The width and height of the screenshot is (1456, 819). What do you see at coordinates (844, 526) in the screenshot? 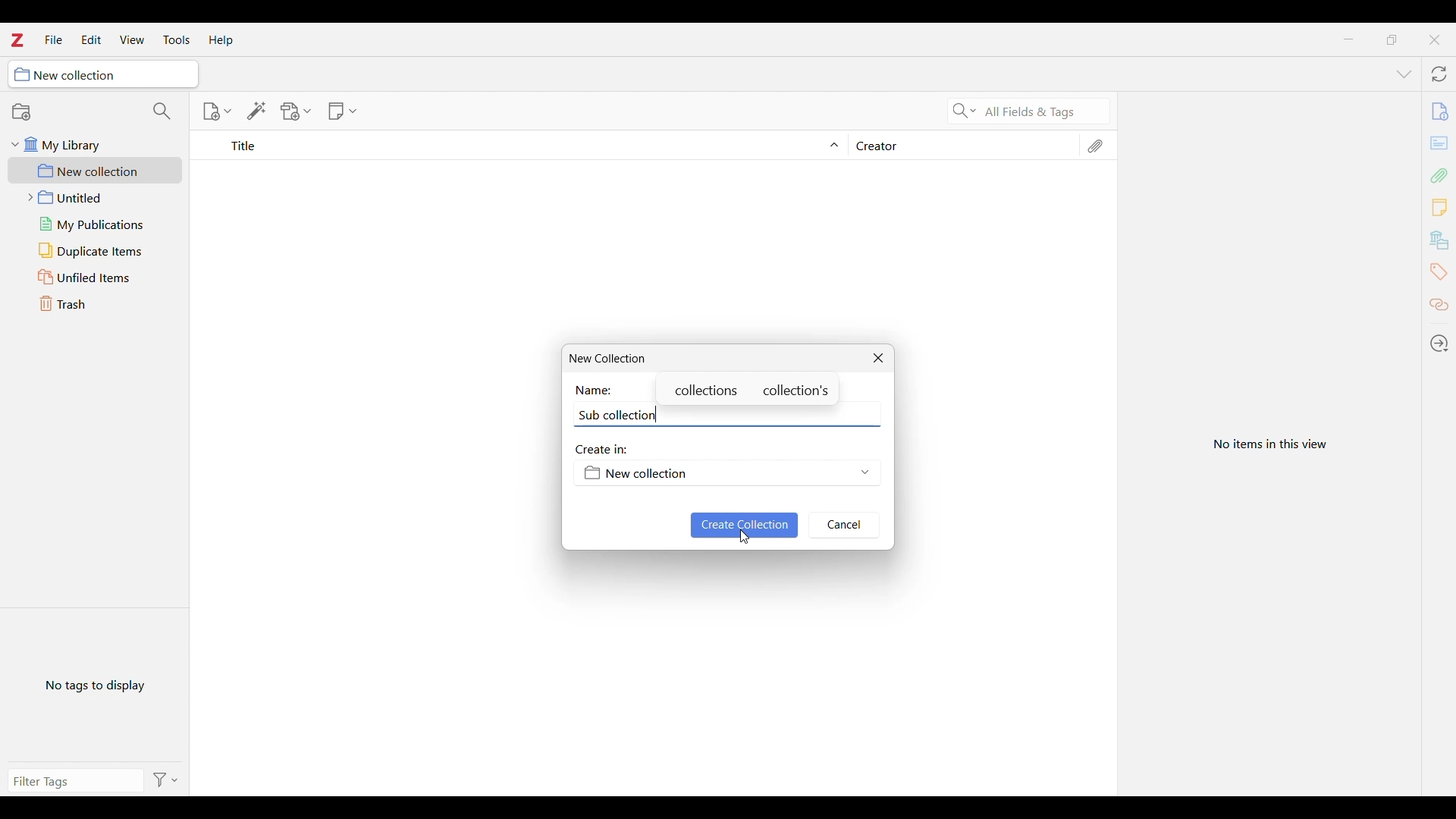
I see `Cancel inputs` at bounding box center [844, 526].